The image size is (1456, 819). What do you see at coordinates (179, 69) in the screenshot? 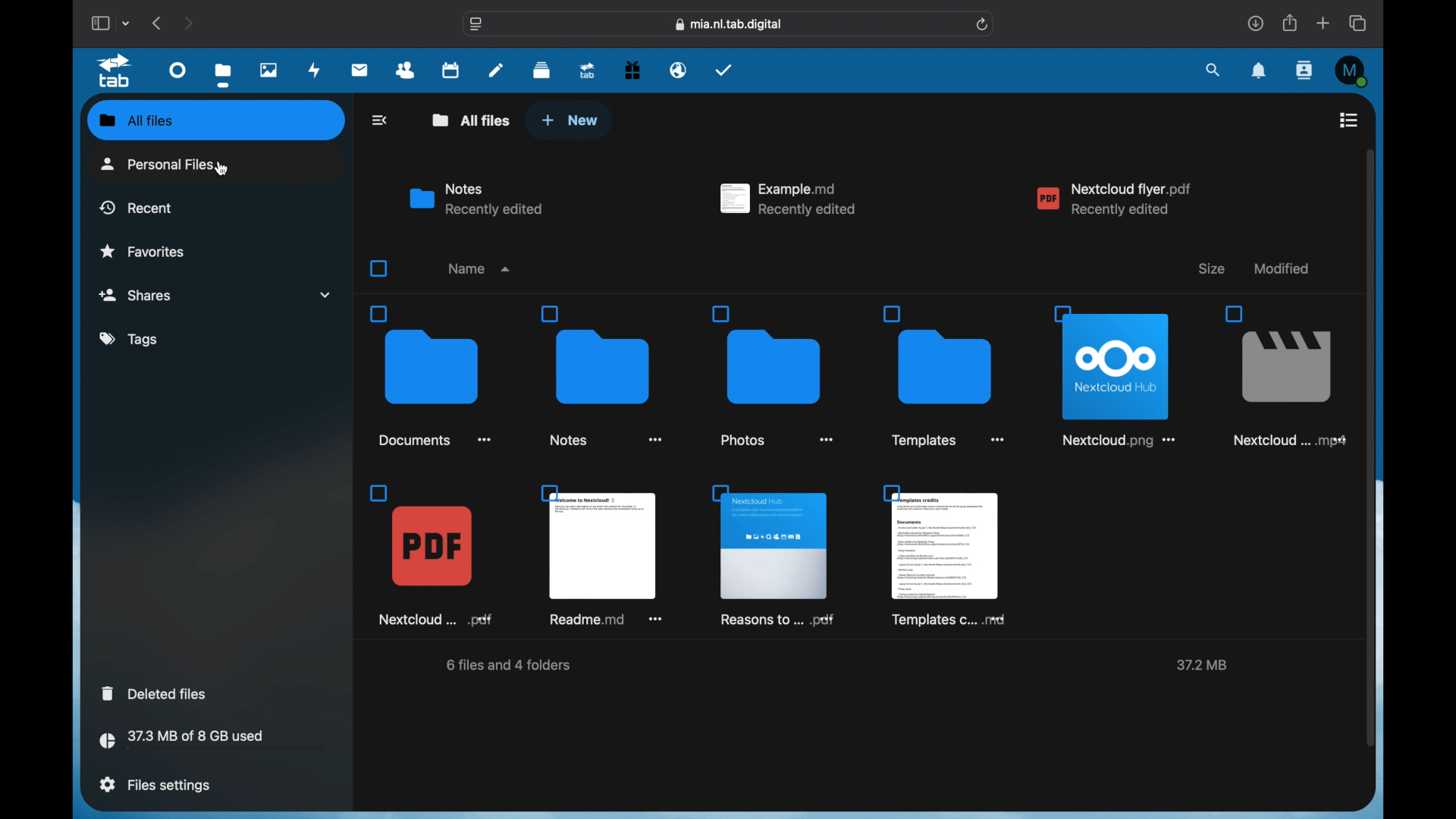
I see `dashboard` at bounding box center [179, 69].